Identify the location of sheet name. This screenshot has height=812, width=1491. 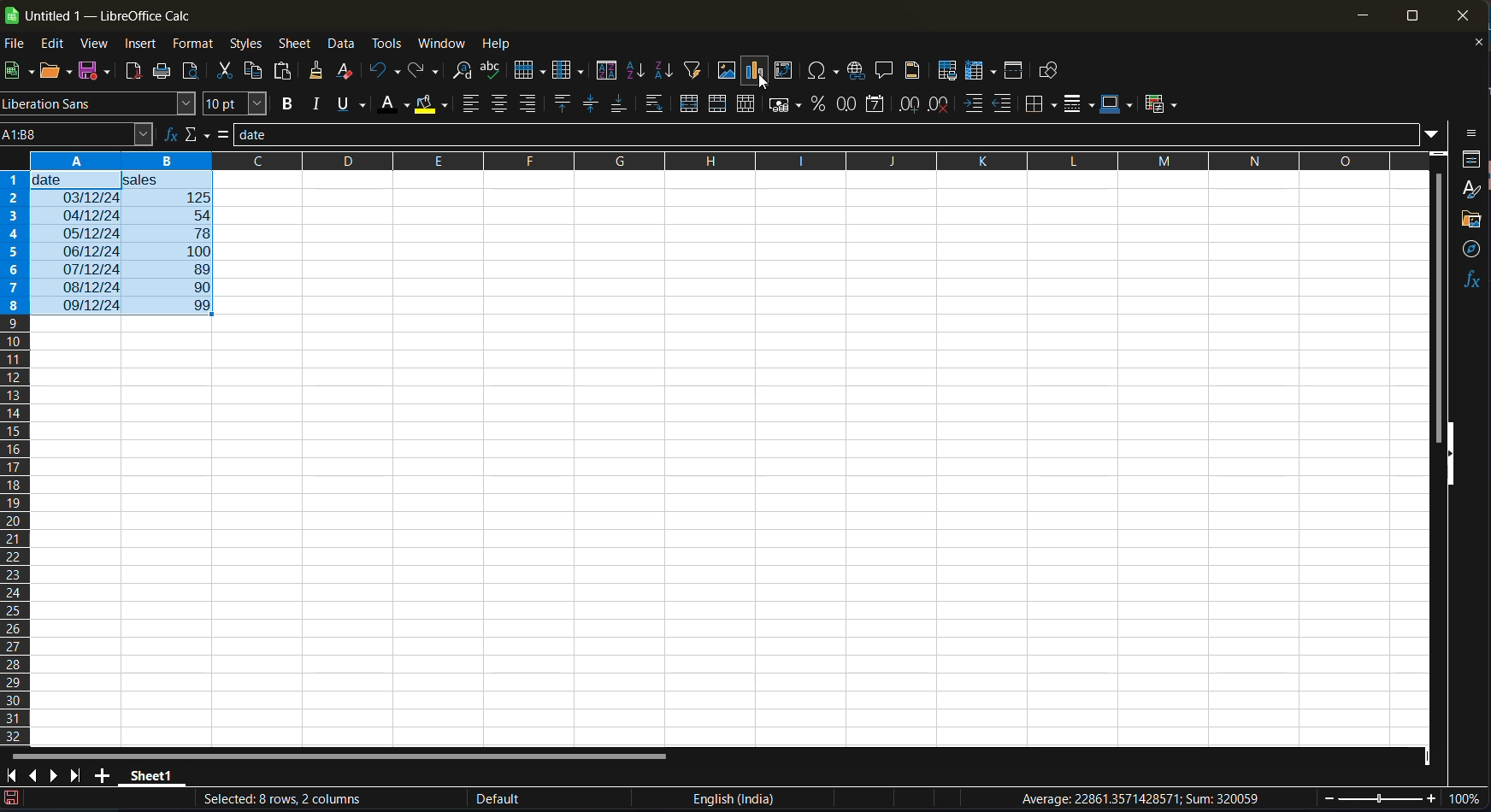
(152, 778).